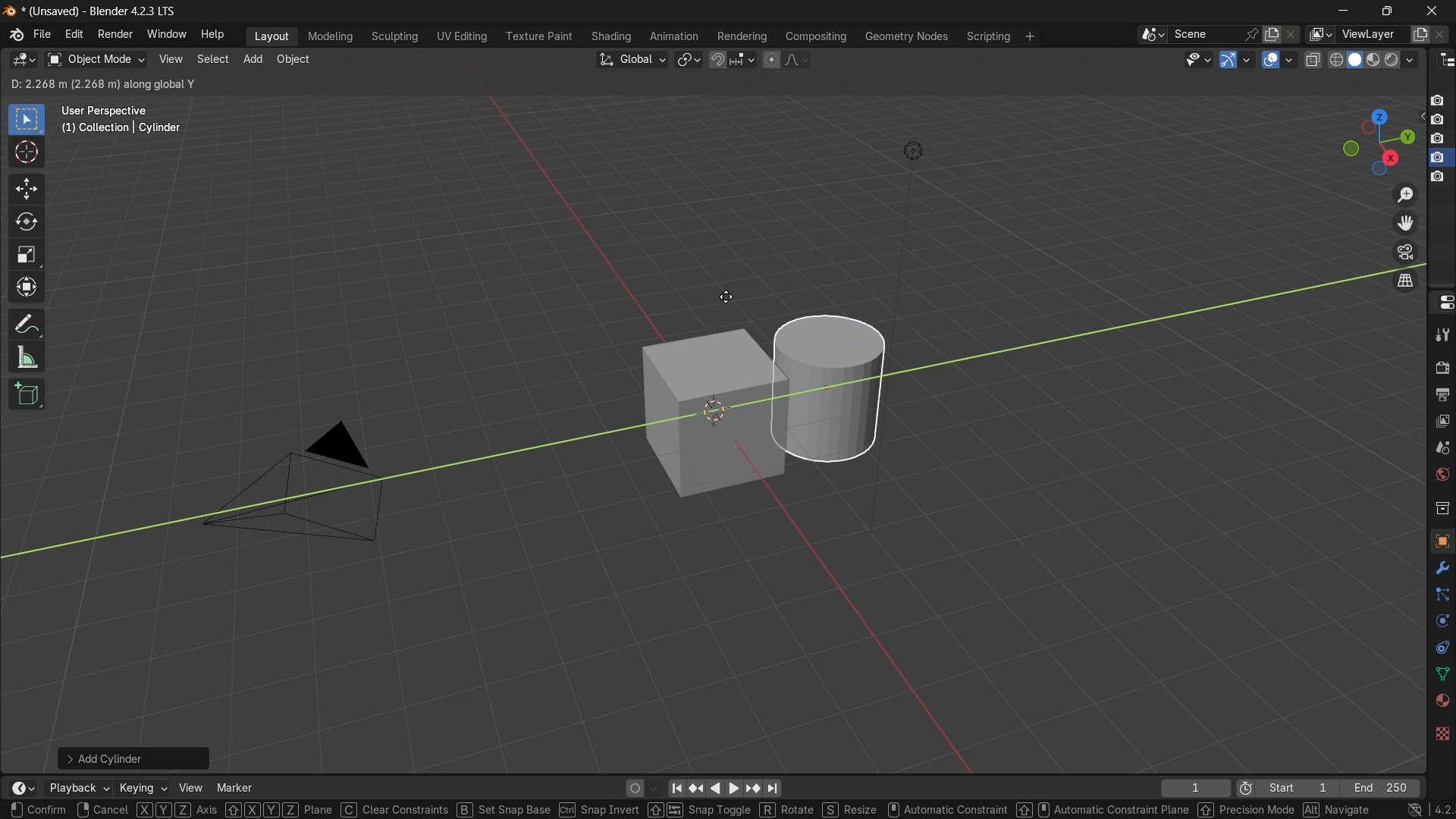  What do you see at coordinates (689, 417) in the screenshot?
I see `cube` at bounding box center [689, 417].